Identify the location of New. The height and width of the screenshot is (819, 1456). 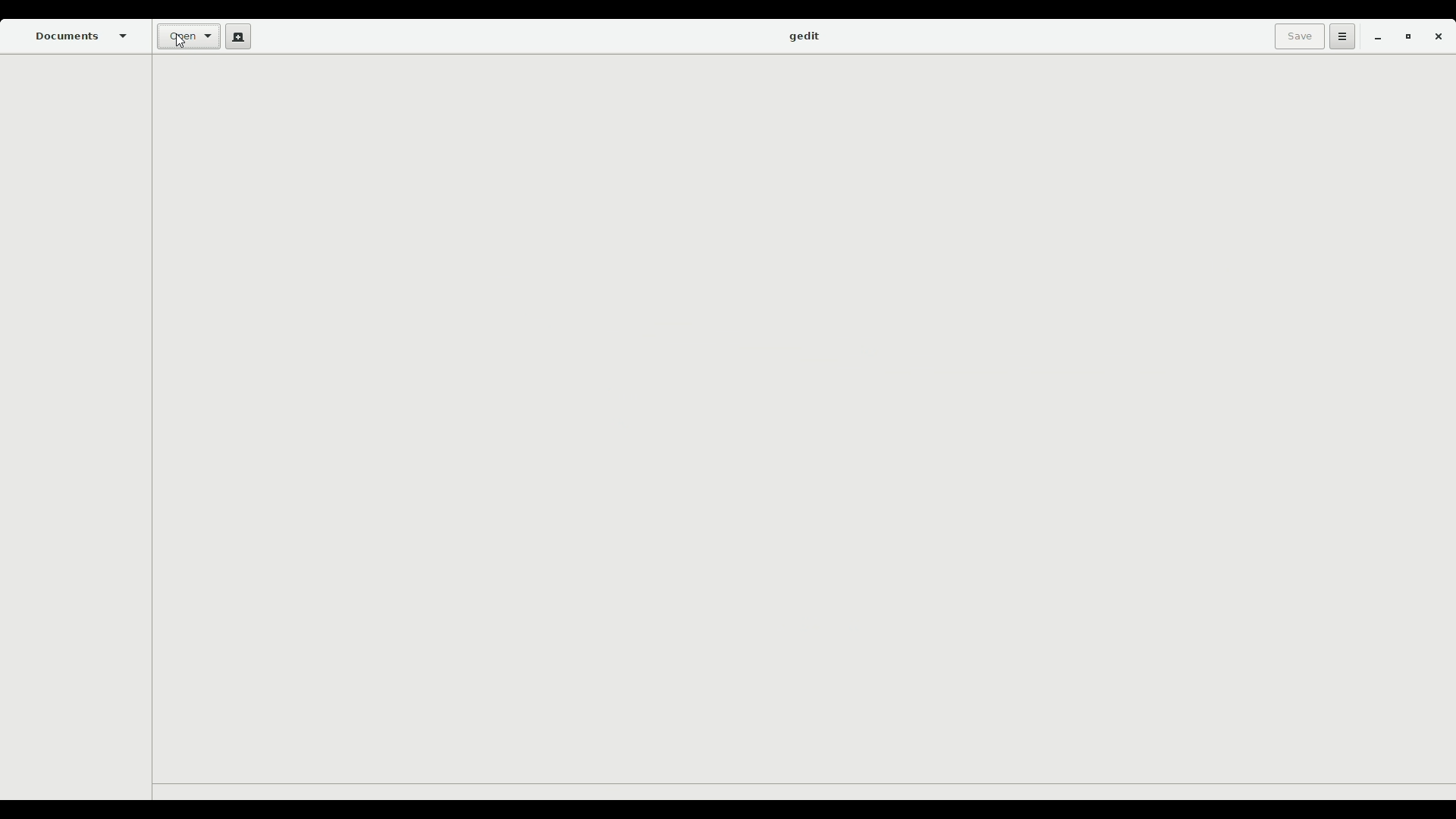
(235, 36).